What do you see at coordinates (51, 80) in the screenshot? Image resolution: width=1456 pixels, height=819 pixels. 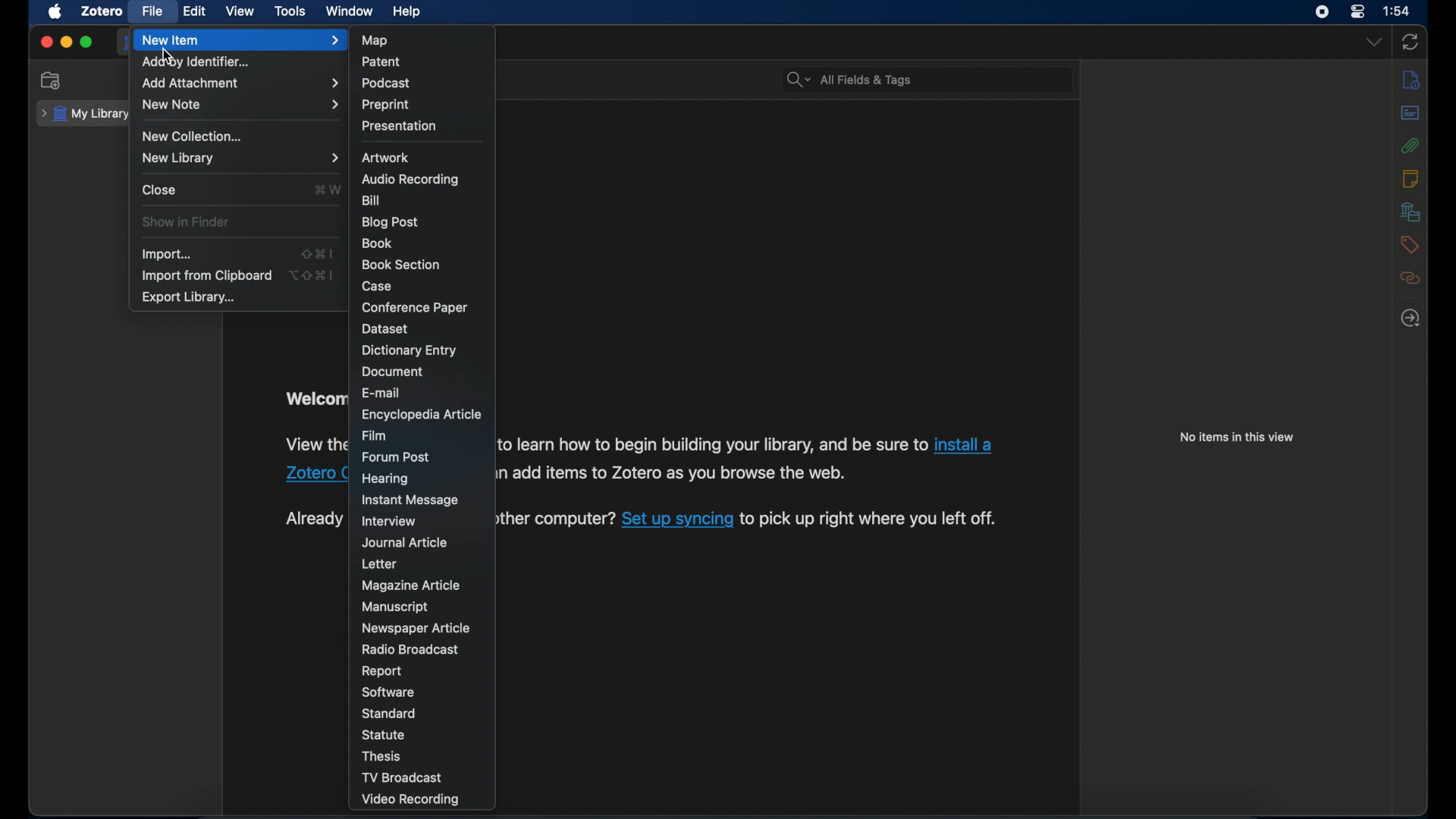 I see `new collection` at bounding box center [51, 80].